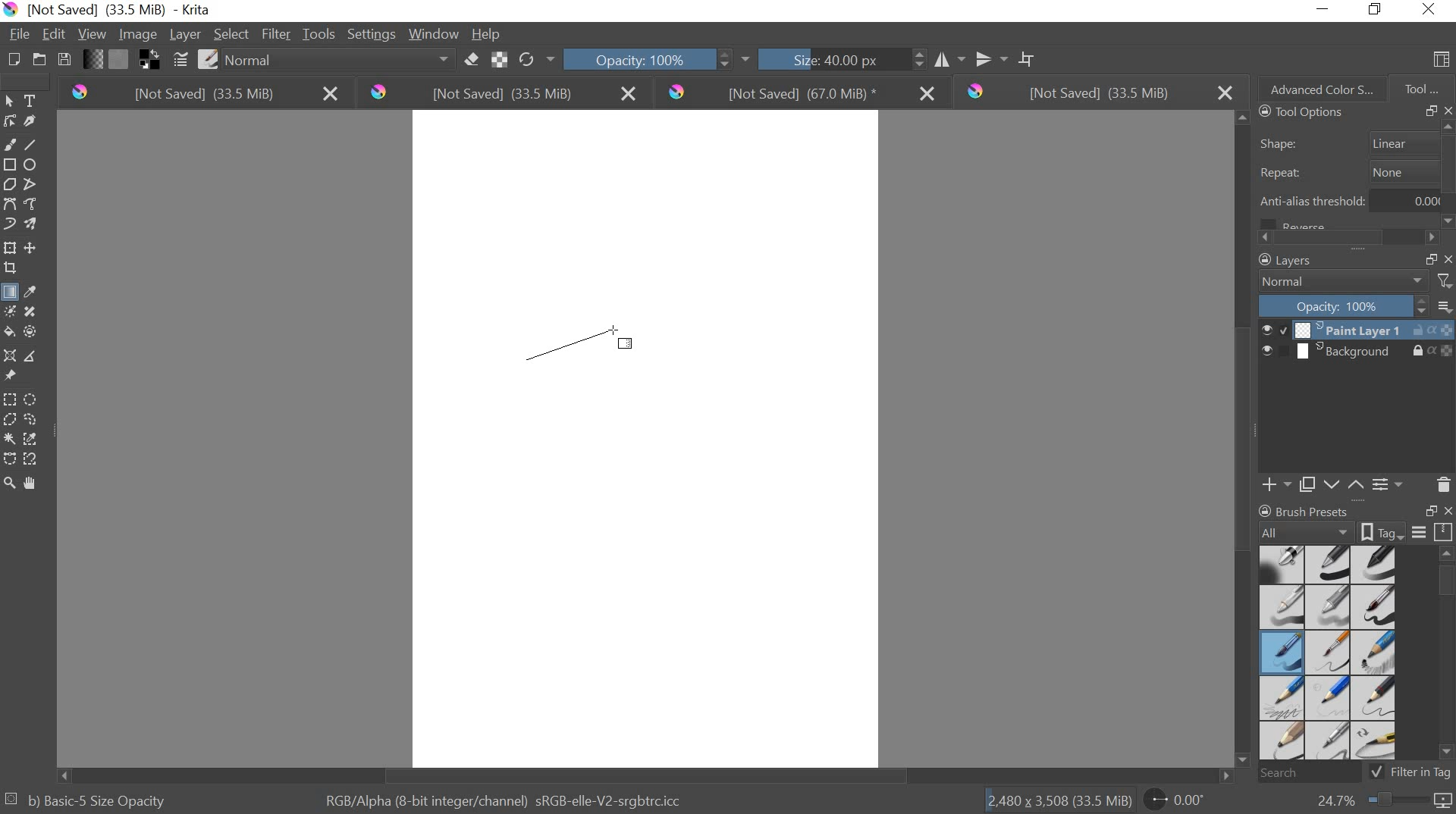 The height and width of the screenshot is (814, 1456). What do you see at coordinates (1324, 7) in the screenshot?
I see `MINIMIZE` at bounding box center [1324, 7].